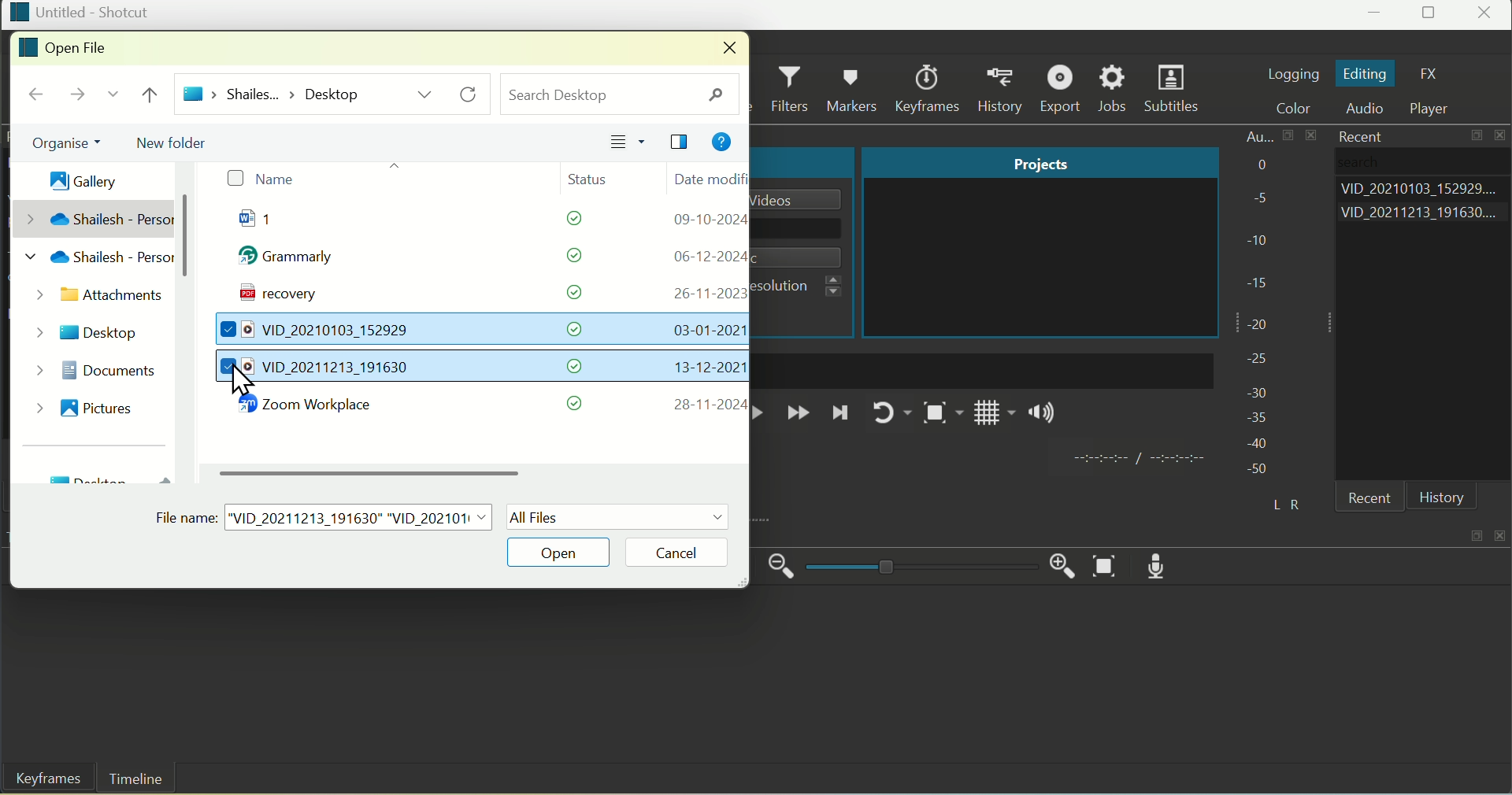 The width and height of the screenshot is (1512, 795). What do you see at coordinates (1114, 89) in the screenshot?
I see `Jobs` at bounding box center [1114, 89].